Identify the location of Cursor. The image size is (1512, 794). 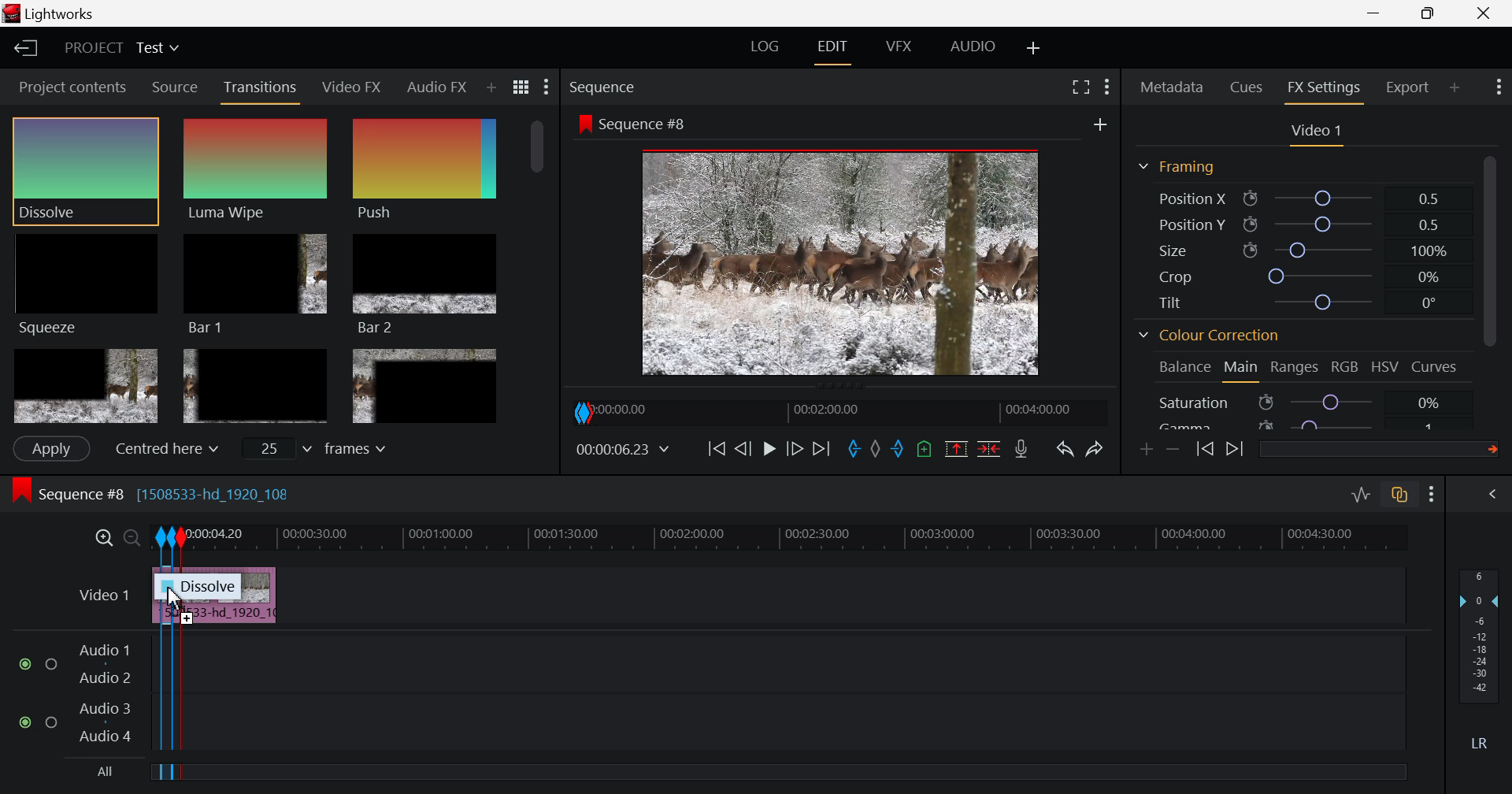
(178, 600).